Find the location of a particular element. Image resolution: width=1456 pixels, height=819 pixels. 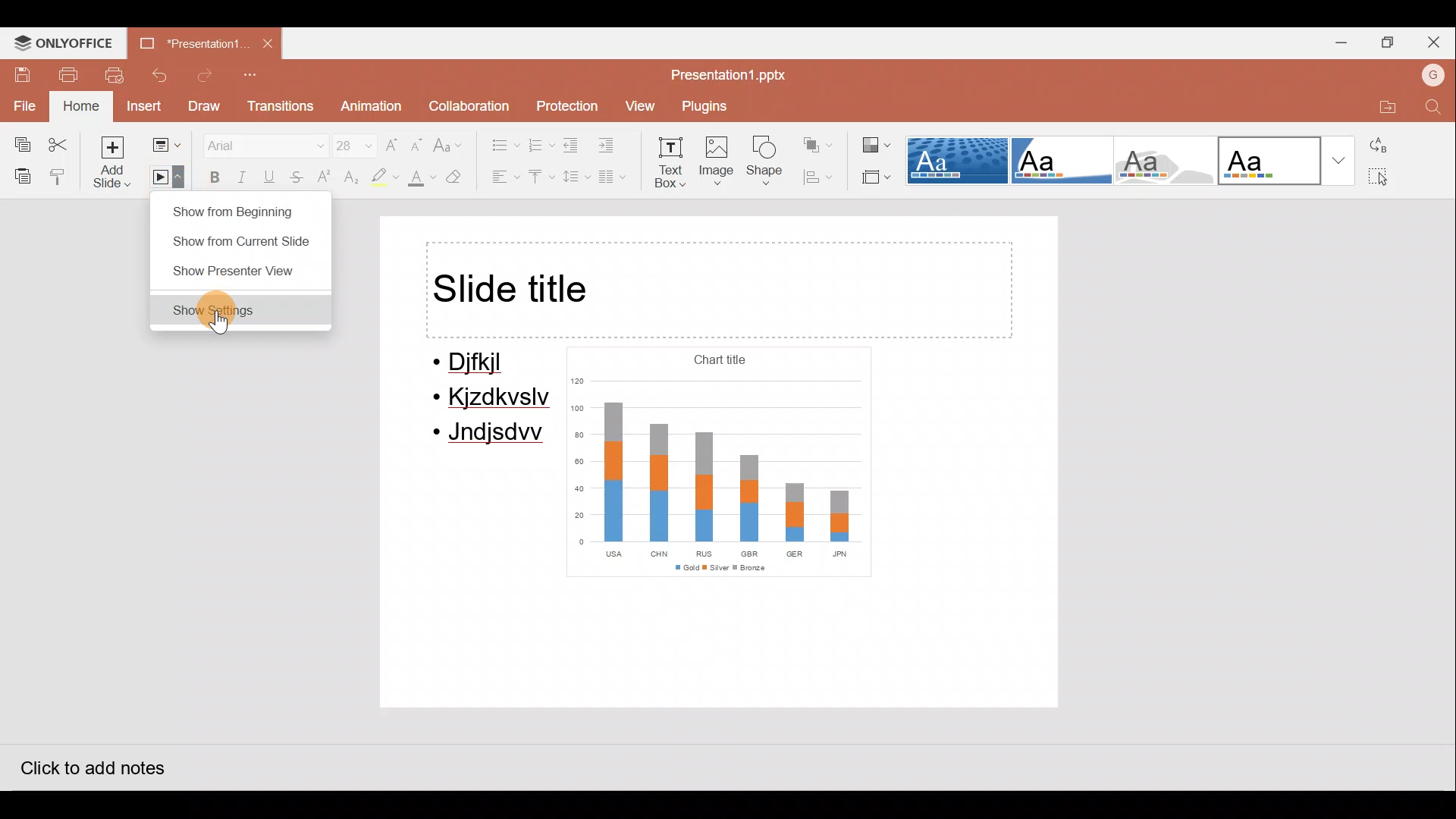

Chart is located at coordinates (716, 463).